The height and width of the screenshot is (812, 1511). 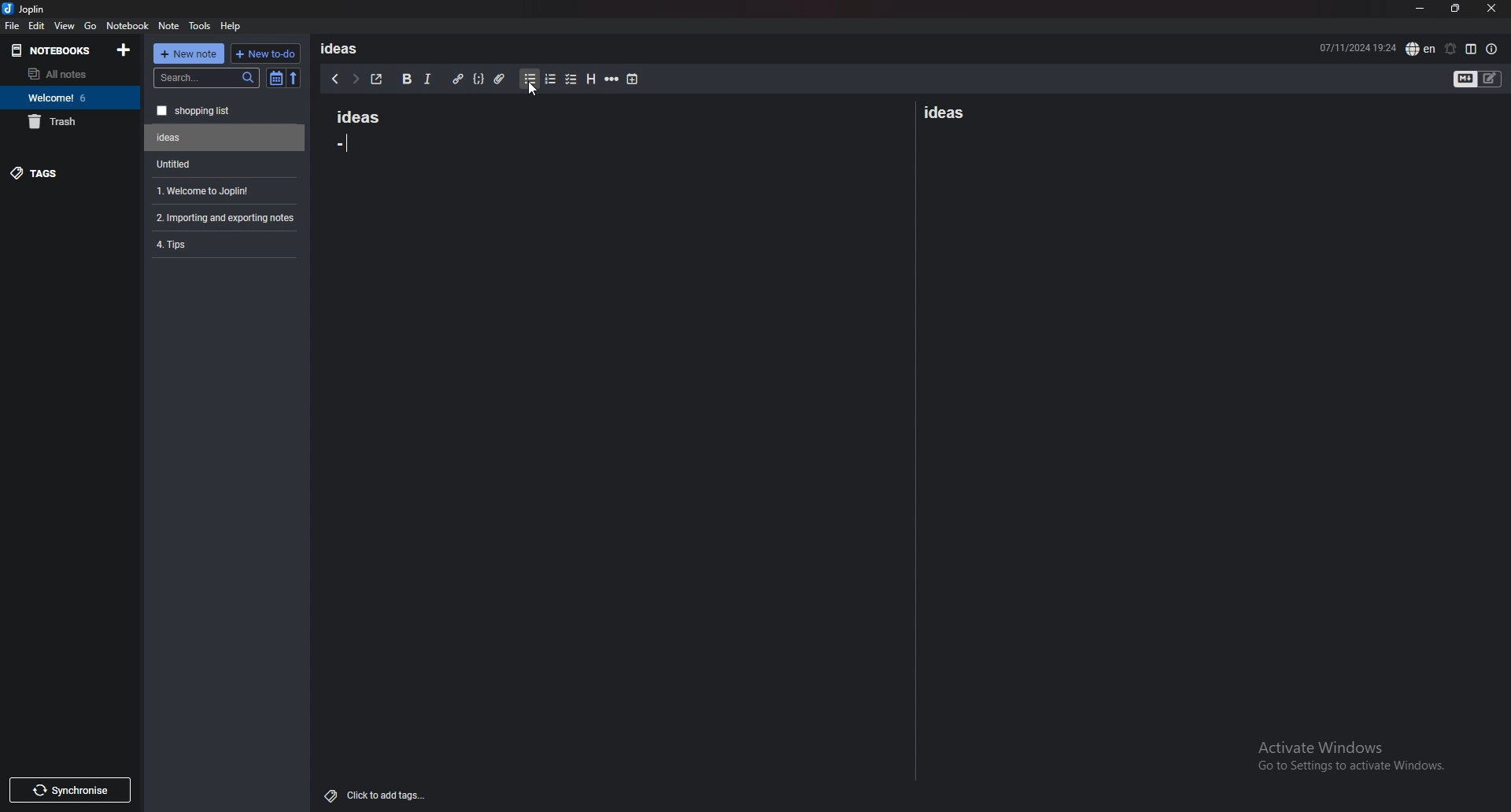 What do you see at coordinates (1420, 49) in the screenshot?
I see `spell check` at bounding box center [1420, 49].